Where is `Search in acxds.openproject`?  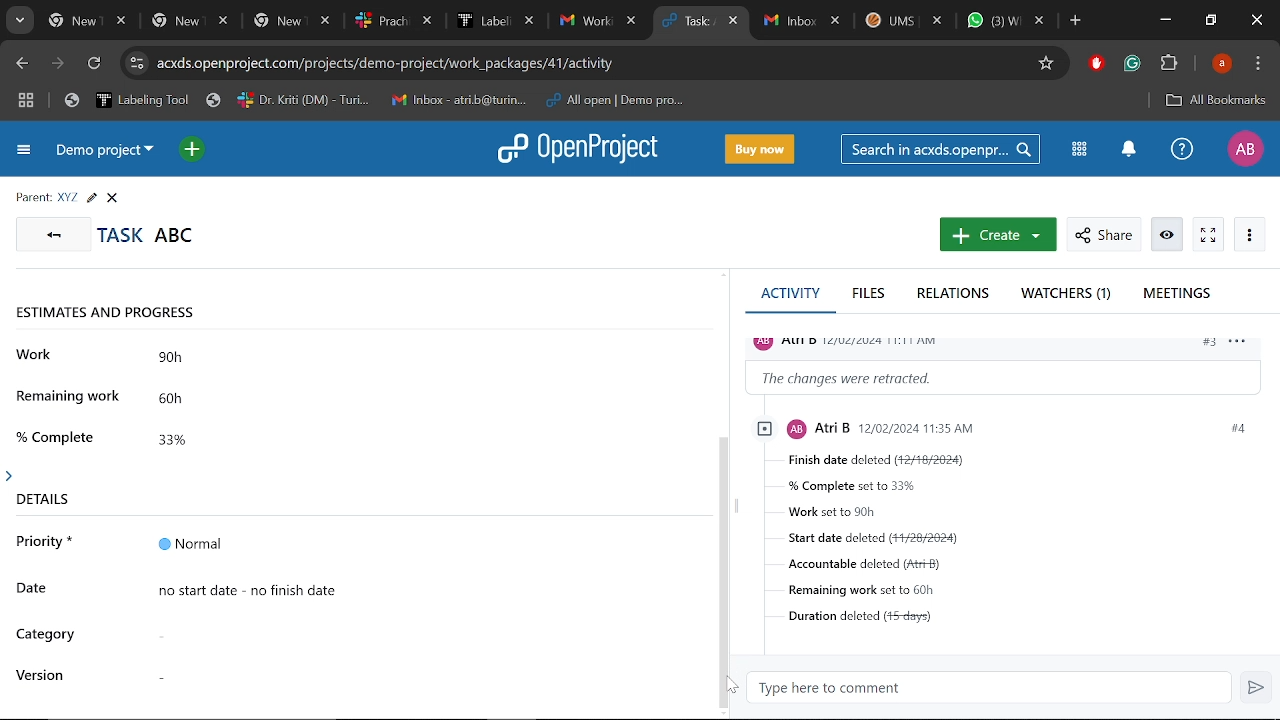 Search in acxds.openproject is located at coordinates (940, 149).